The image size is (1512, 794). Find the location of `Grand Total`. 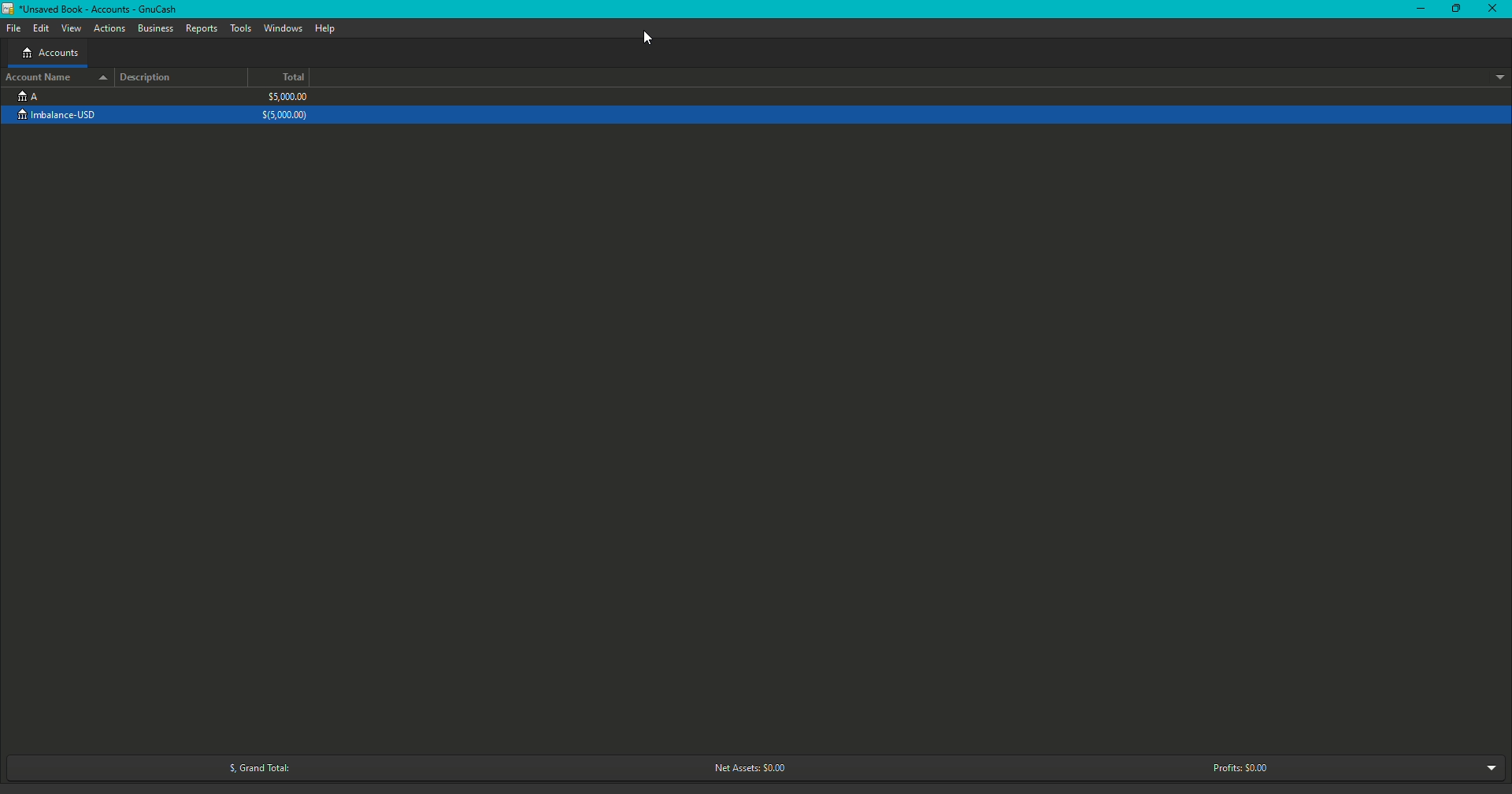

Grand Total is located at coordinates (254, 768).